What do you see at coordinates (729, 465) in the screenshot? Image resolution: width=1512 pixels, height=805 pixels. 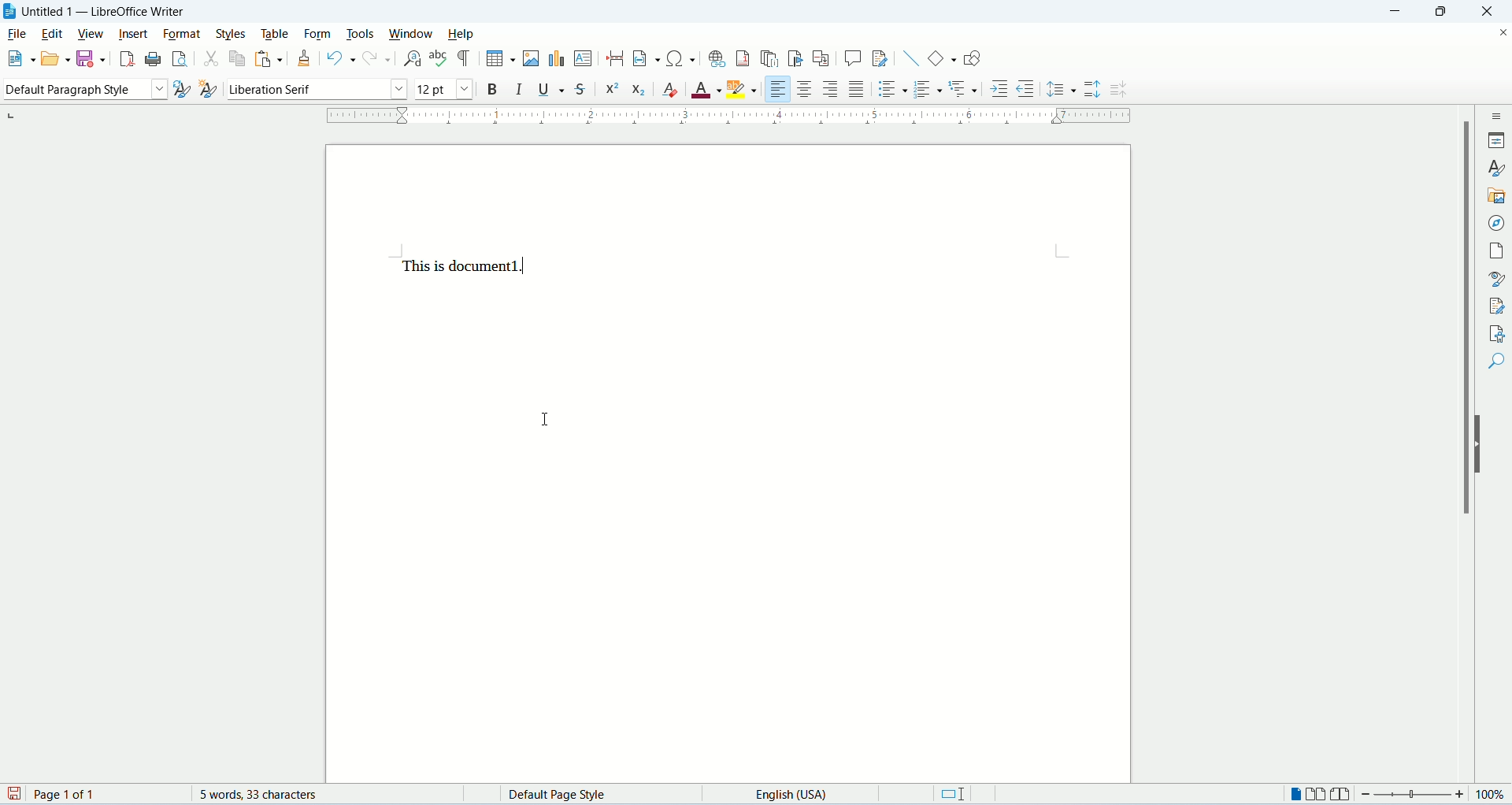 I see `input page` at bounding box center [729, 465].